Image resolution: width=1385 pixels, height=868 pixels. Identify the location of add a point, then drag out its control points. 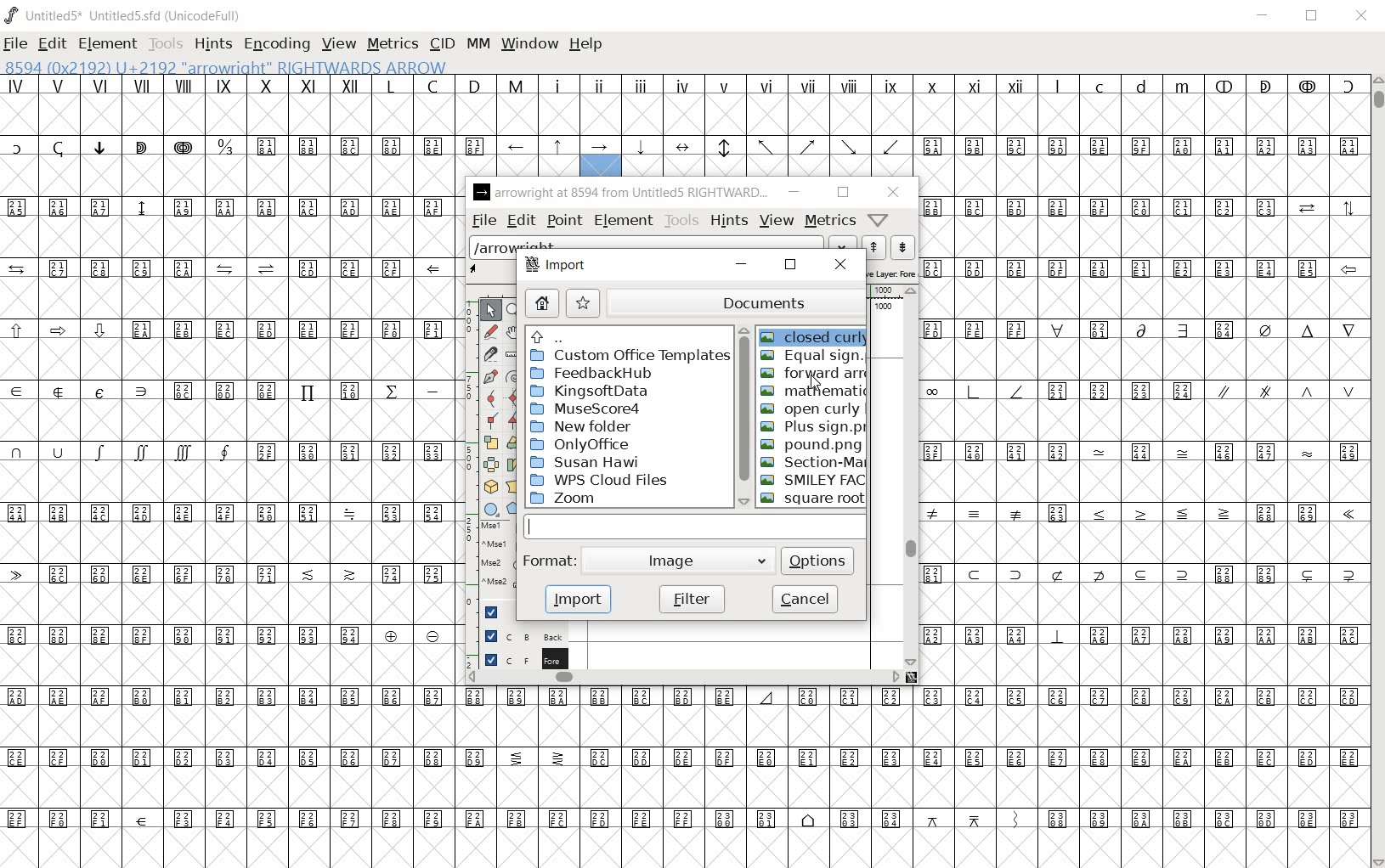
(489, 377).